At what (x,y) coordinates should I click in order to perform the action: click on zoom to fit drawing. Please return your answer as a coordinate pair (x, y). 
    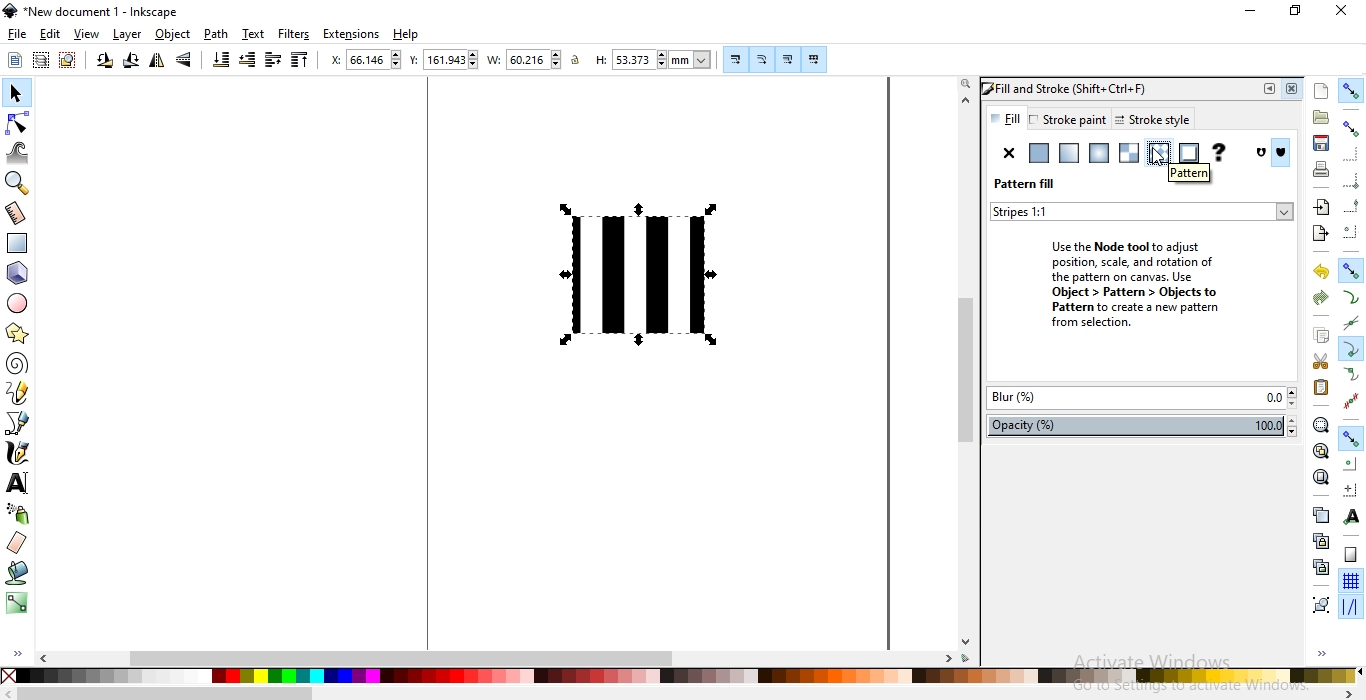
    Looking at the image, I should click on (1319, 451).